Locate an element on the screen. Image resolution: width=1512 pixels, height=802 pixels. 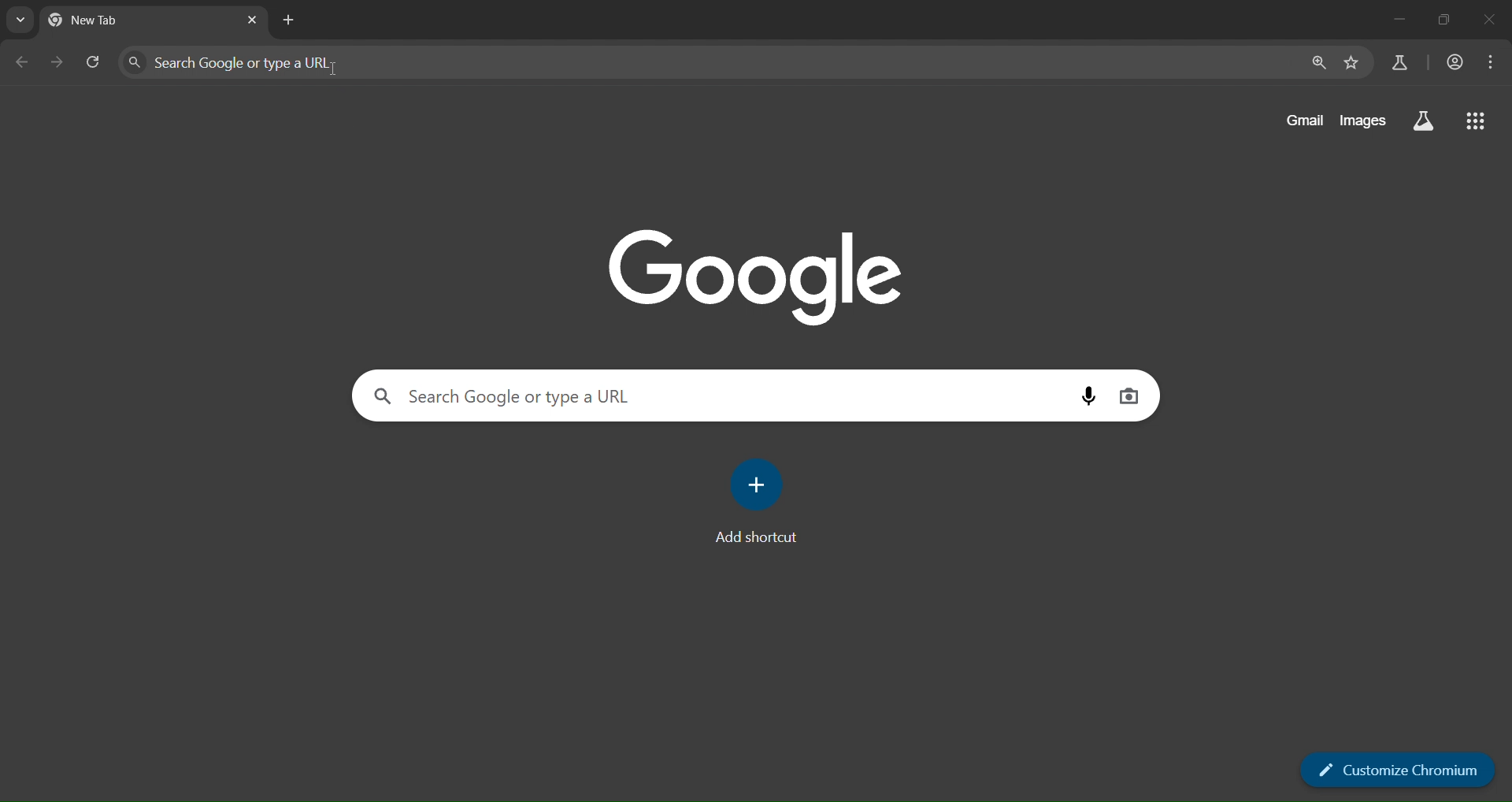
Search Google or type a URL is located at coordinates (503, 397).